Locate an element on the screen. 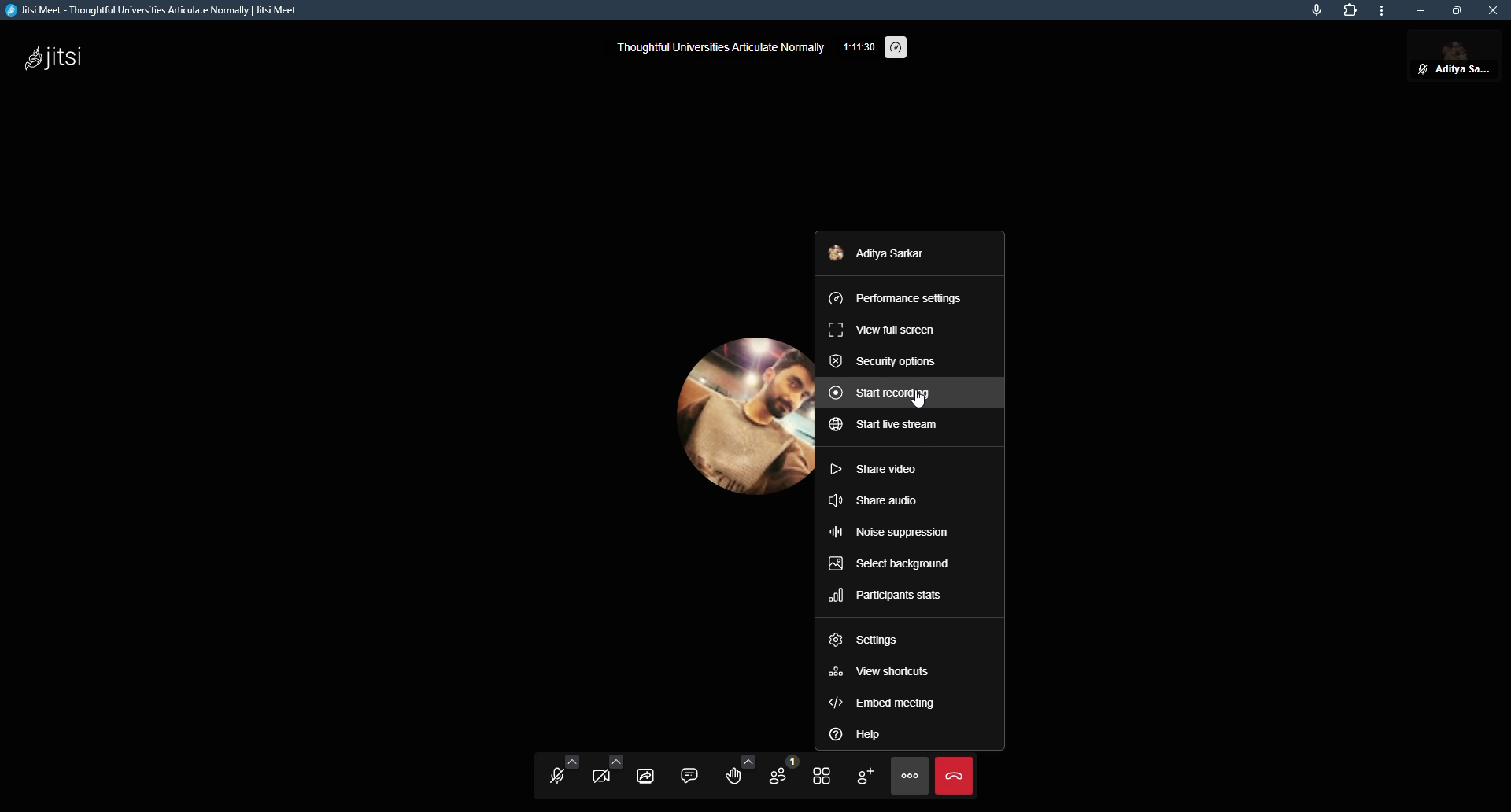 The image size is (1511, 812). invite people is located at coordinates (864, 776).